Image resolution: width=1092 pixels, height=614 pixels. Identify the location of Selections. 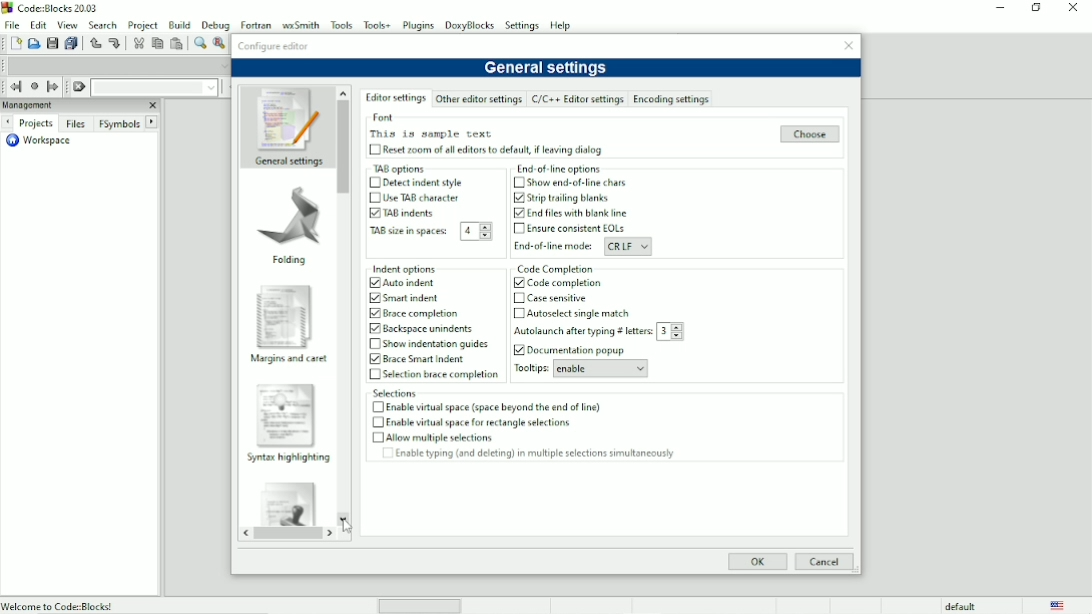
(529, 393).